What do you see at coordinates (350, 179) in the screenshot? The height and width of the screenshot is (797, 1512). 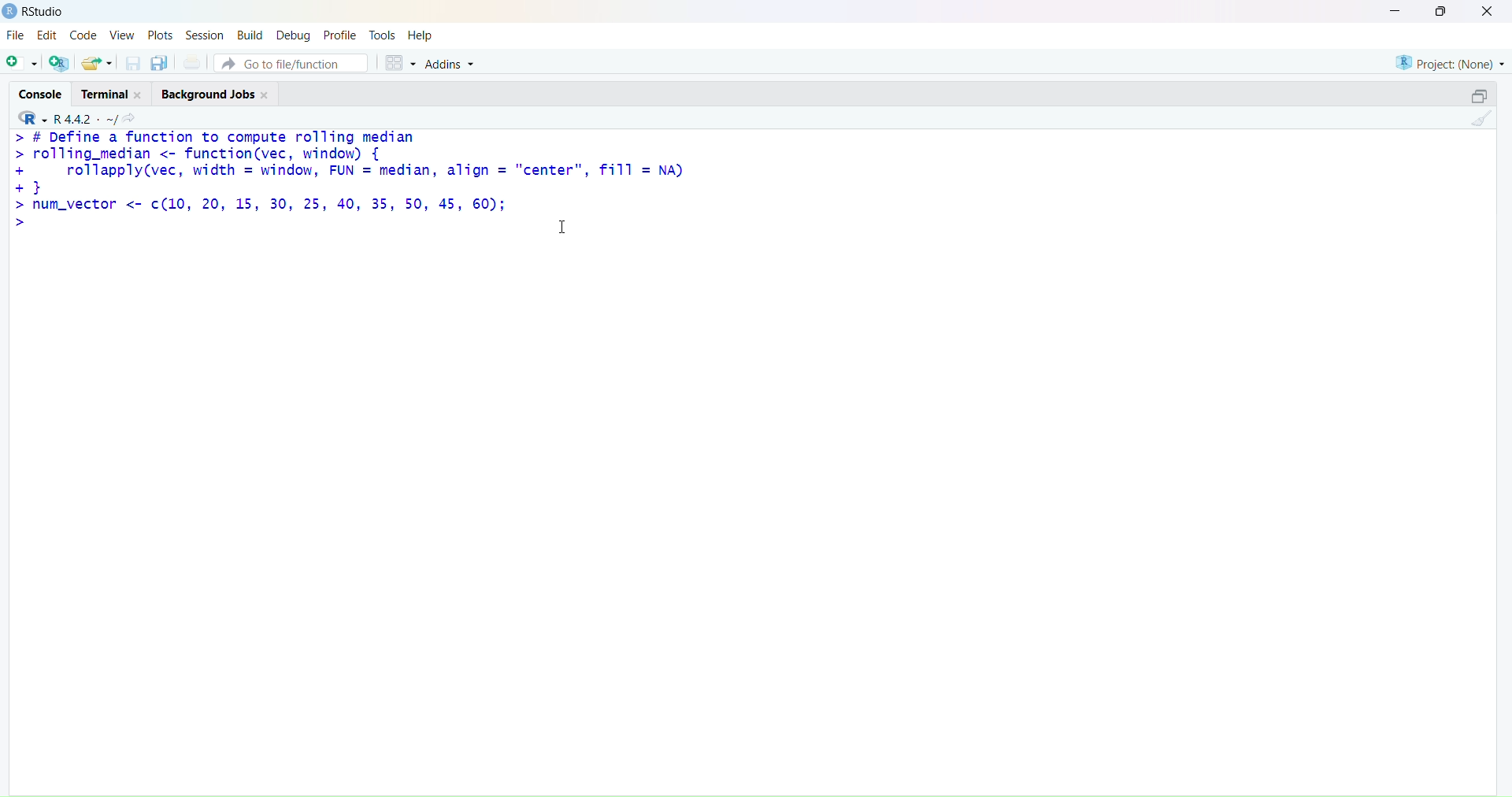 I see `> # Define a function to compute rolling median> rolling_median <- function(vec, window) {+ rollapply(vec, width = window, FUN = median, align = "center", fill = NA)+}> num_vector <- ¢(10, 20, 15, 30, 25, 40, 35, 50, 45, 60);>` at bounding box center [350, 179].